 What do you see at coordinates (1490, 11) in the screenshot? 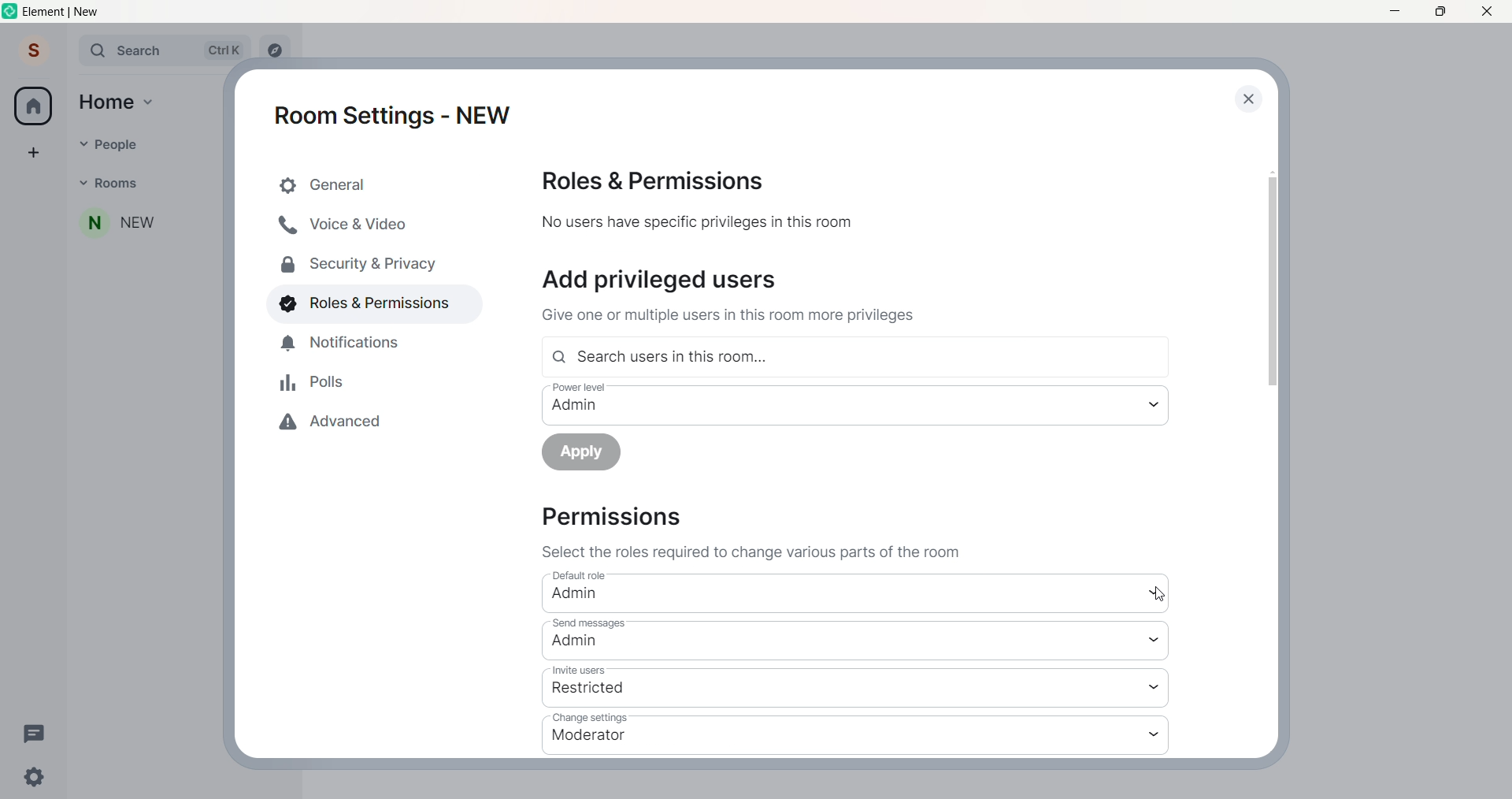
I see `close` at bounding box center [1490, 11].